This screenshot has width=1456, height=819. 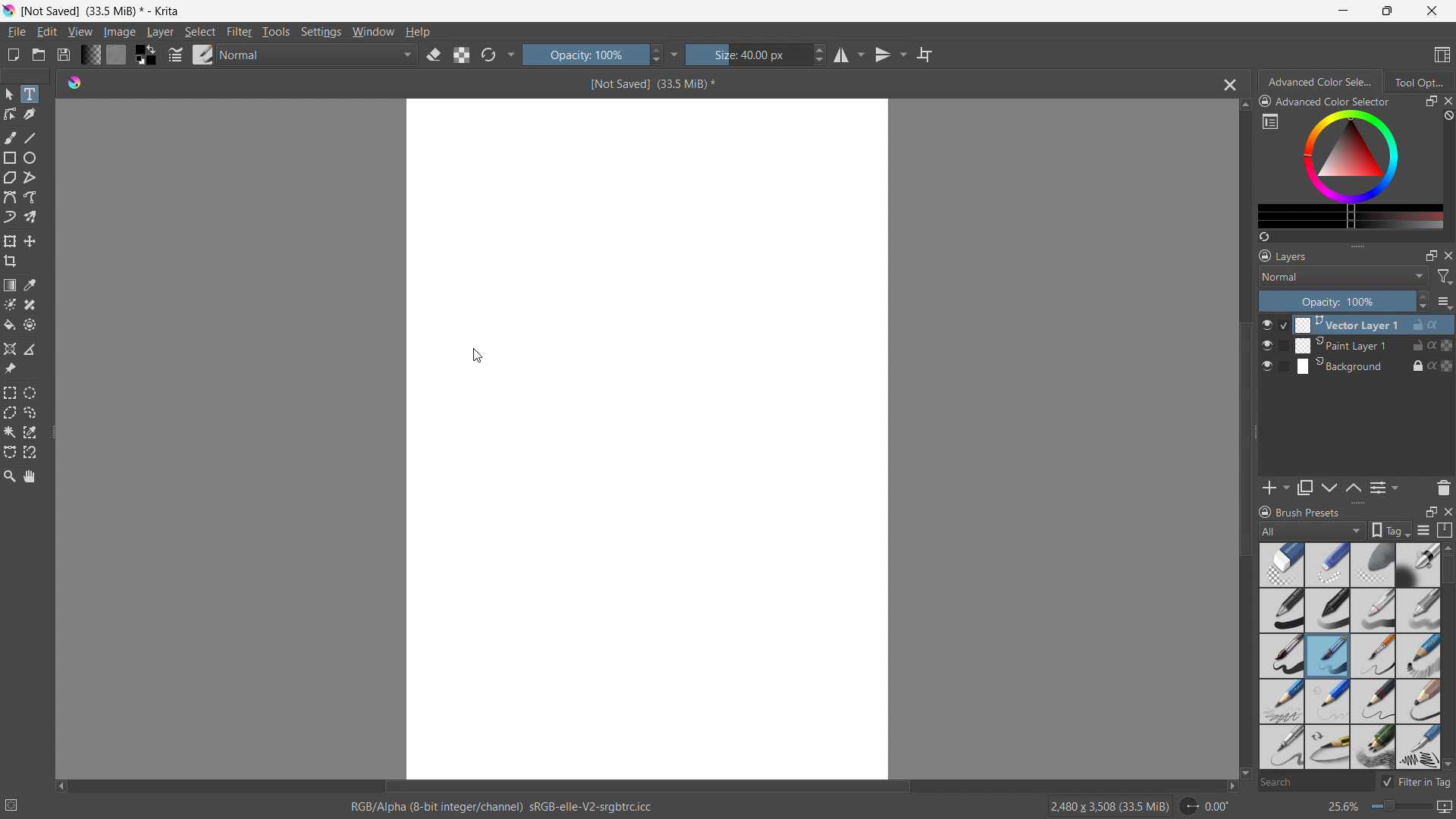 I want to click on color wheels, so click(x=1351, y=155).